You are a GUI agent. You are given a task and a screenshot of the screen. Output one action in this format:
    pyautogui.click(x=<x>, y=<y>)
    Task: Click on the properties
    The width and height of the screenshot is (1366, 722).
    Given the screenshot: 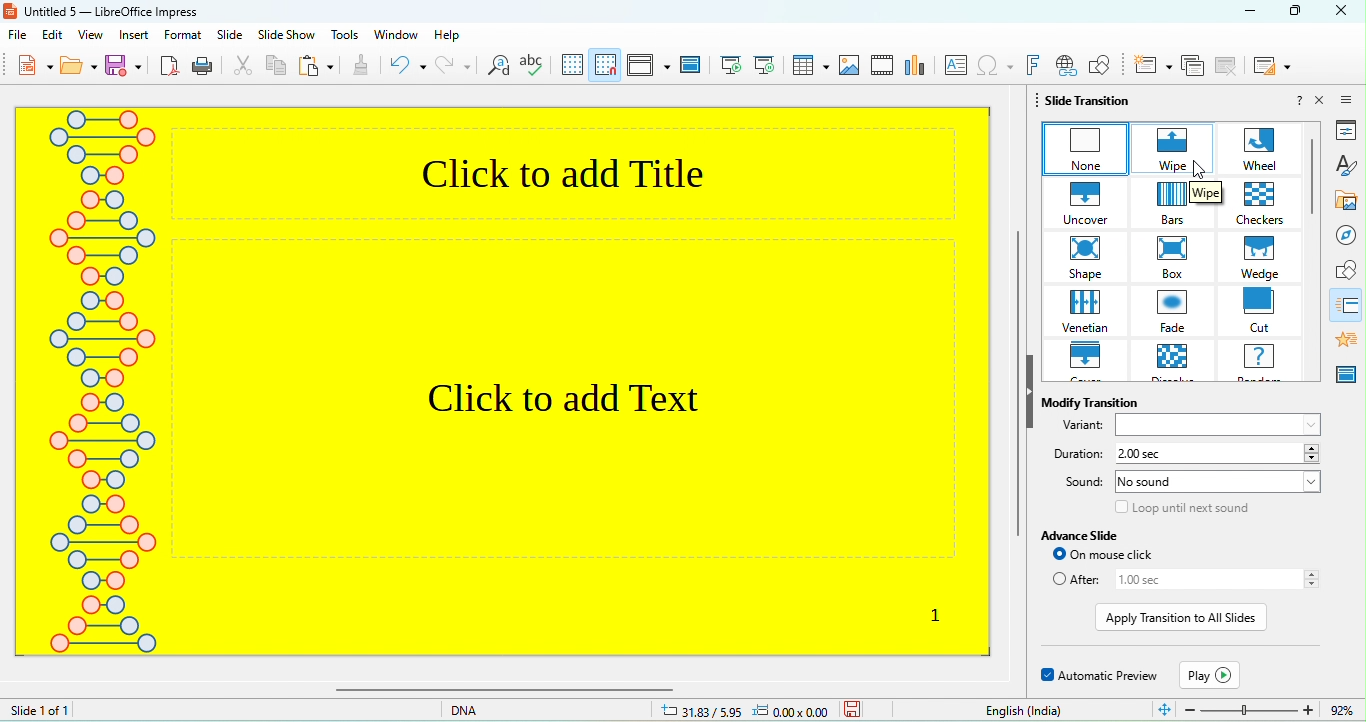 What is the action you would take?
    pyautogui.click(x=1345, y=130)
    